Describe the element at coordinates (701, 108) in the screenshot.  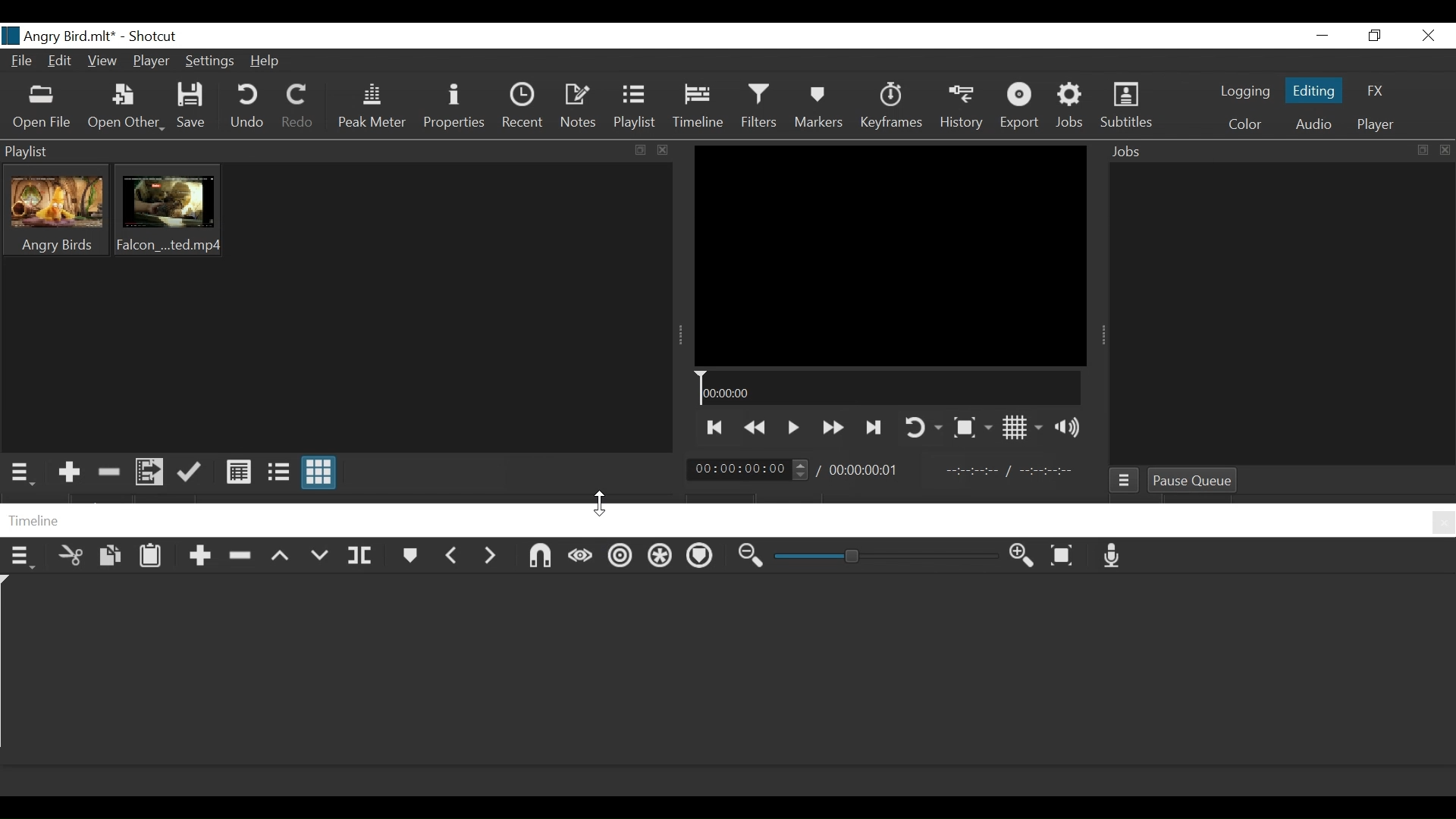
I see `Timeline` at that location.